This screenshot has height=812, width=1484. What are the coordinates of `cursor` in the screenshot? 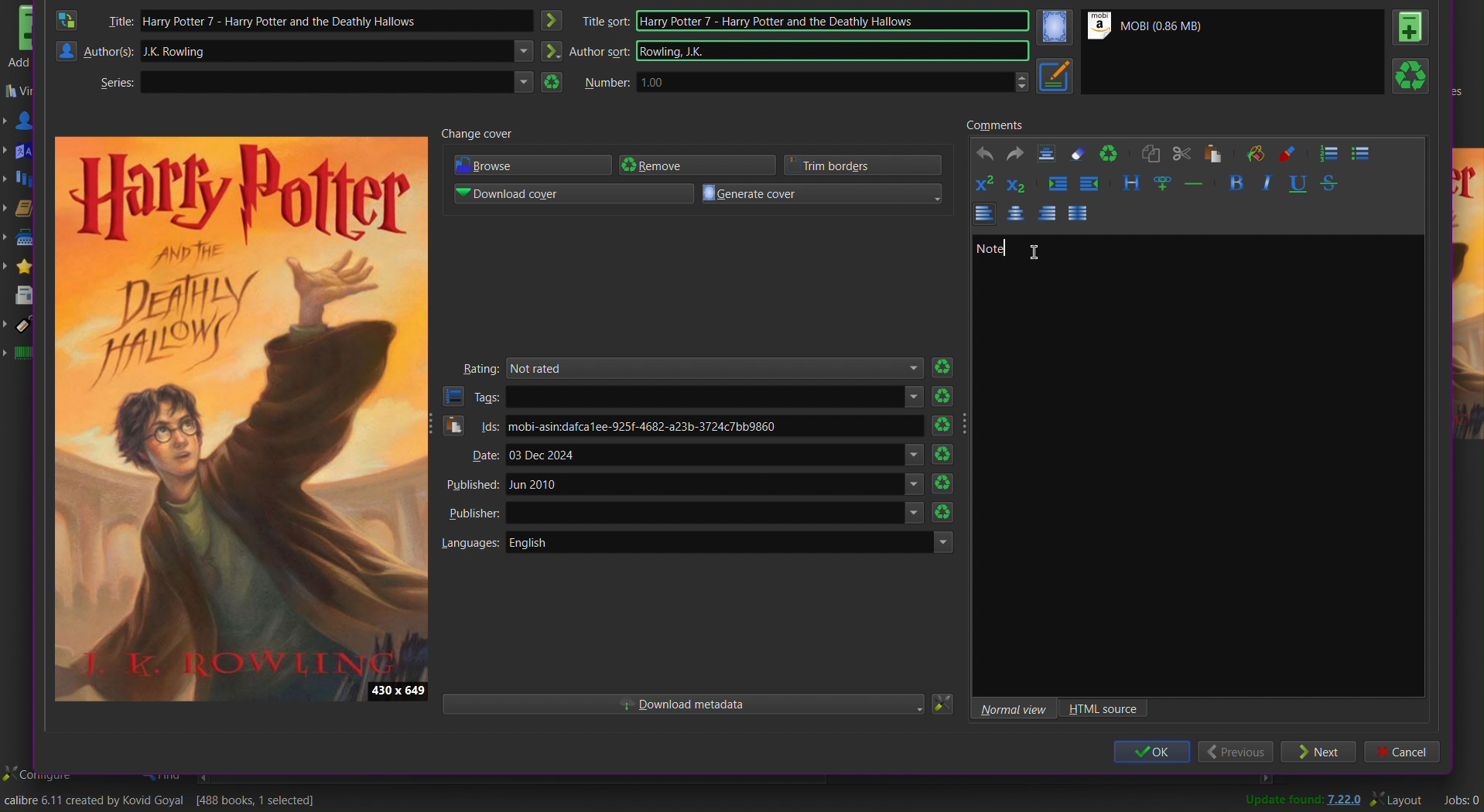 It's located at (1041, 249).